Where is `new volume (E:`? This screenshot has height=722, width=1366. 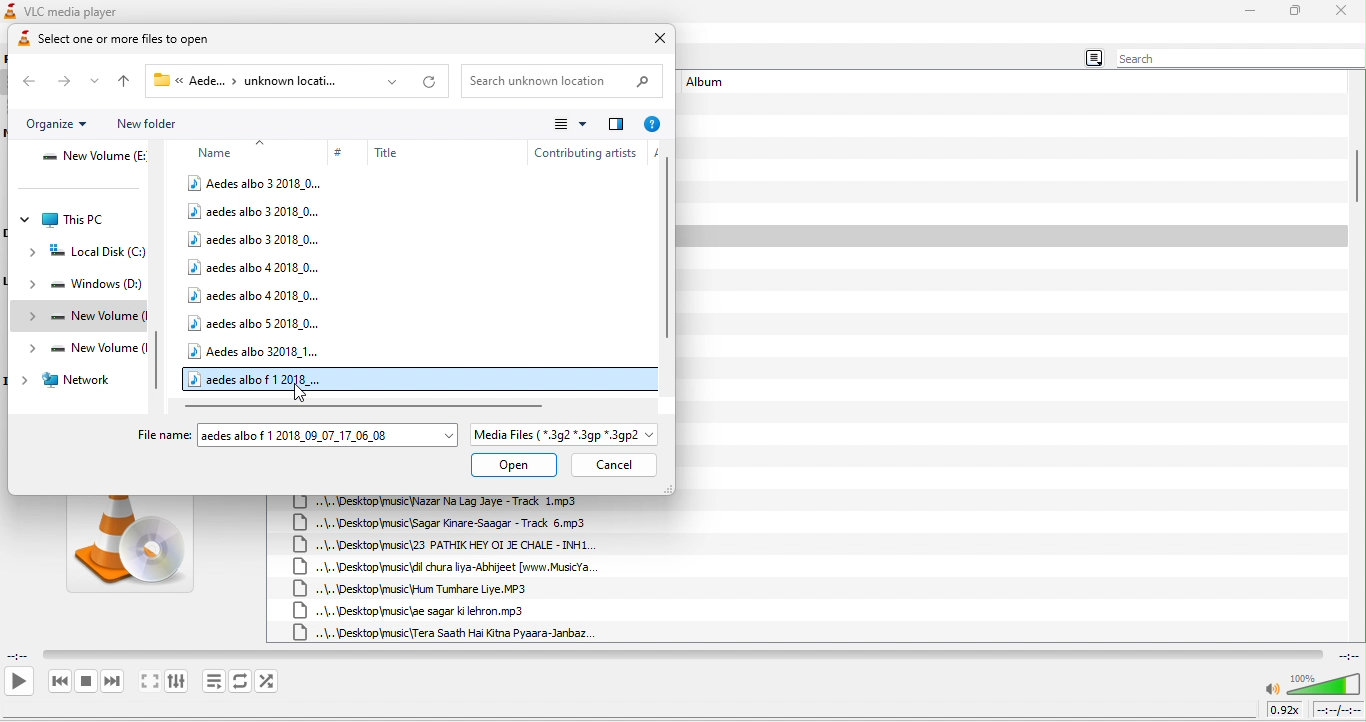 new volume (E: is located at coordinates (93, 159).